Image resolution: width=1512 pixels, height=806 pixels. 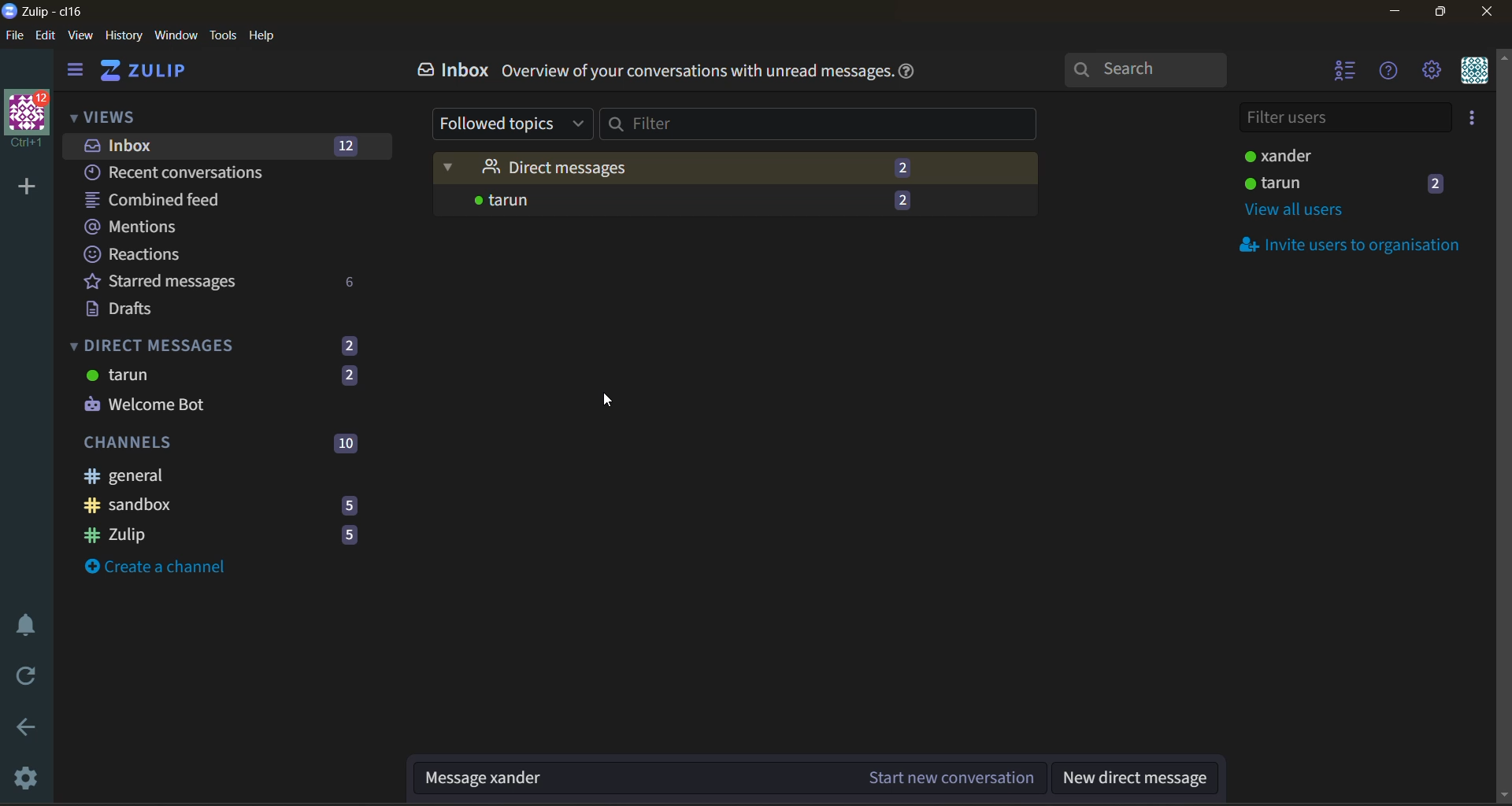 What do you see at coordinates (1346, 156) in the screenshot?
I see `users status active` at bounding box center [1346, 156].